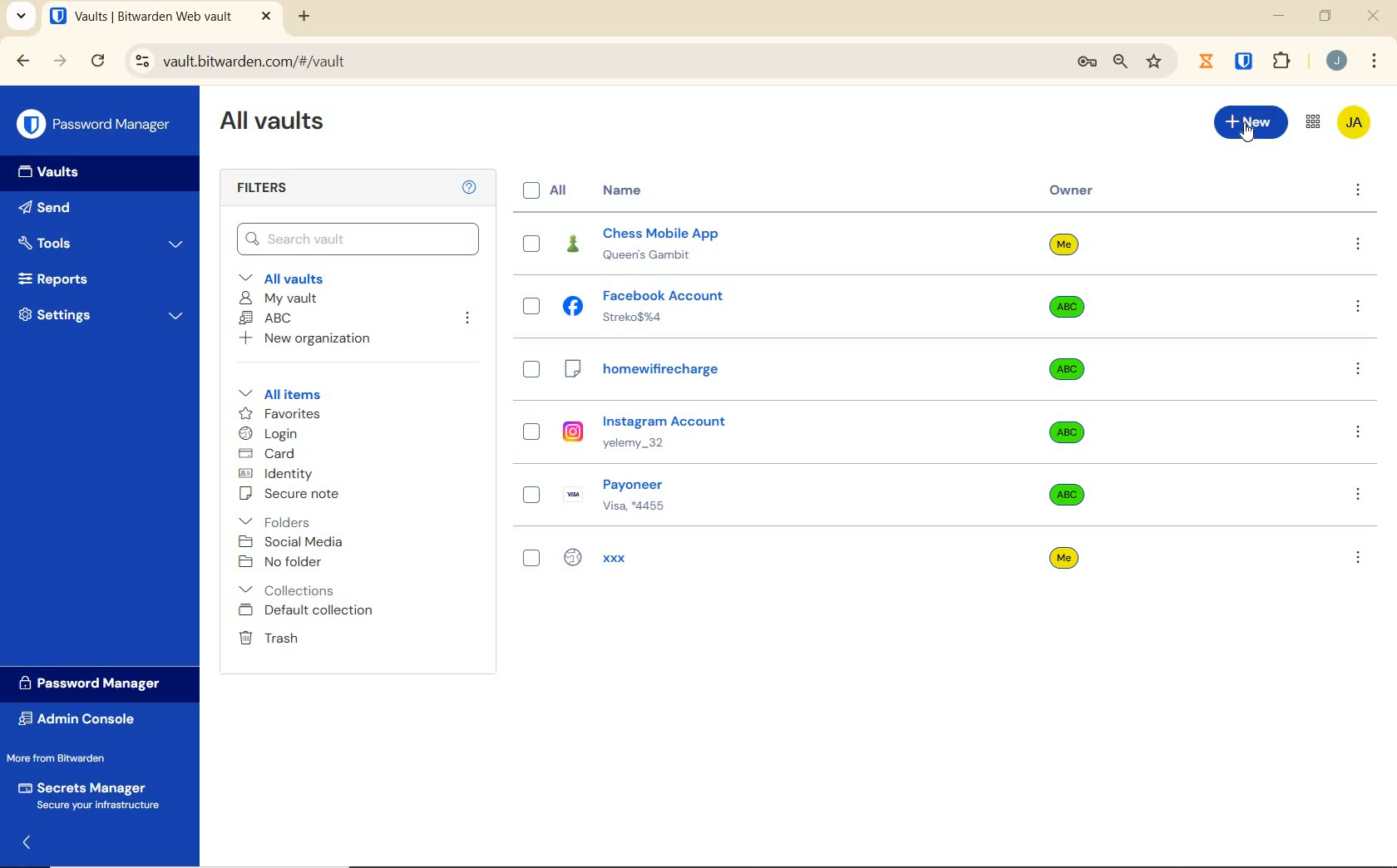 The image size is (1397, 868). Describe the element at coordinates (531, 431) in the screenshot. I see `select entry` at that location.